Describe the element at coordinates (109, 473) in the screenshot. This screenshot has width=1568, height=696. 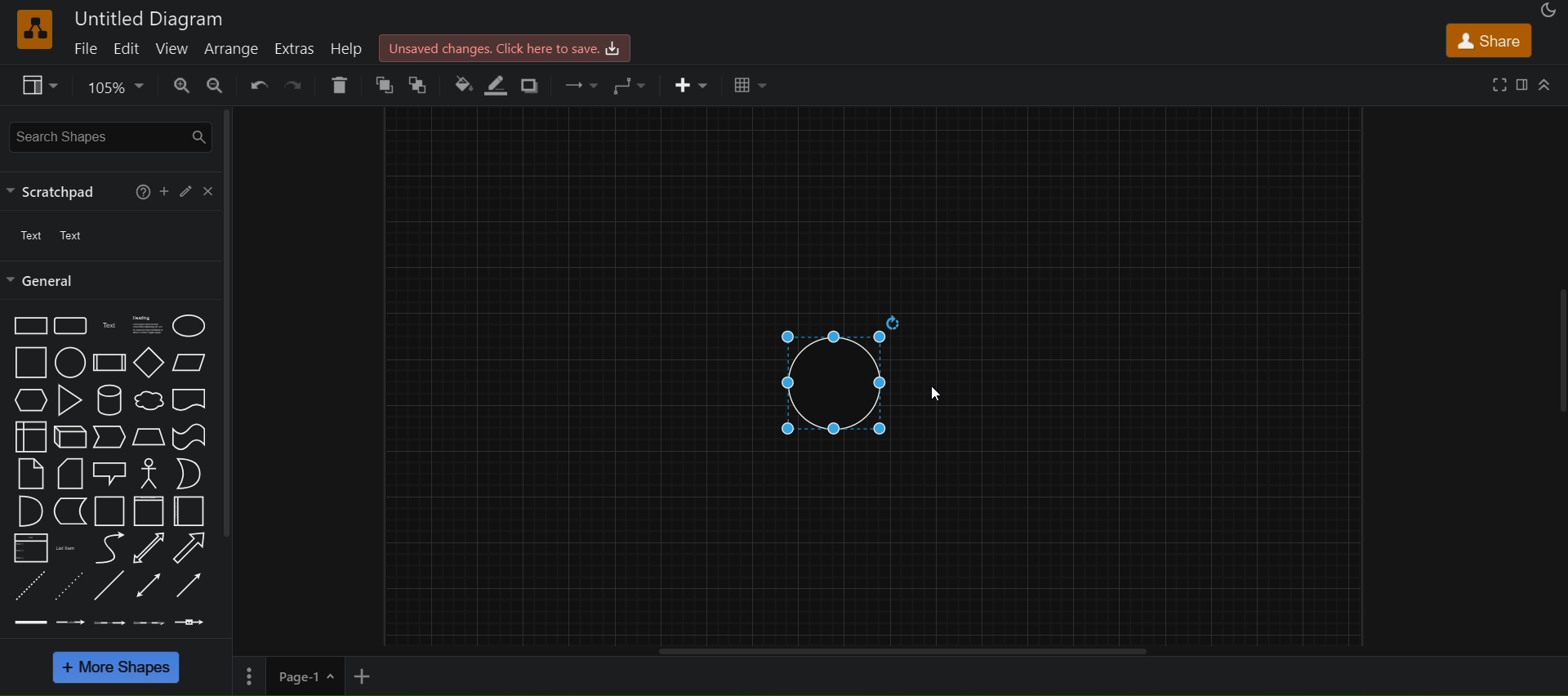
I see `callout` at that location.